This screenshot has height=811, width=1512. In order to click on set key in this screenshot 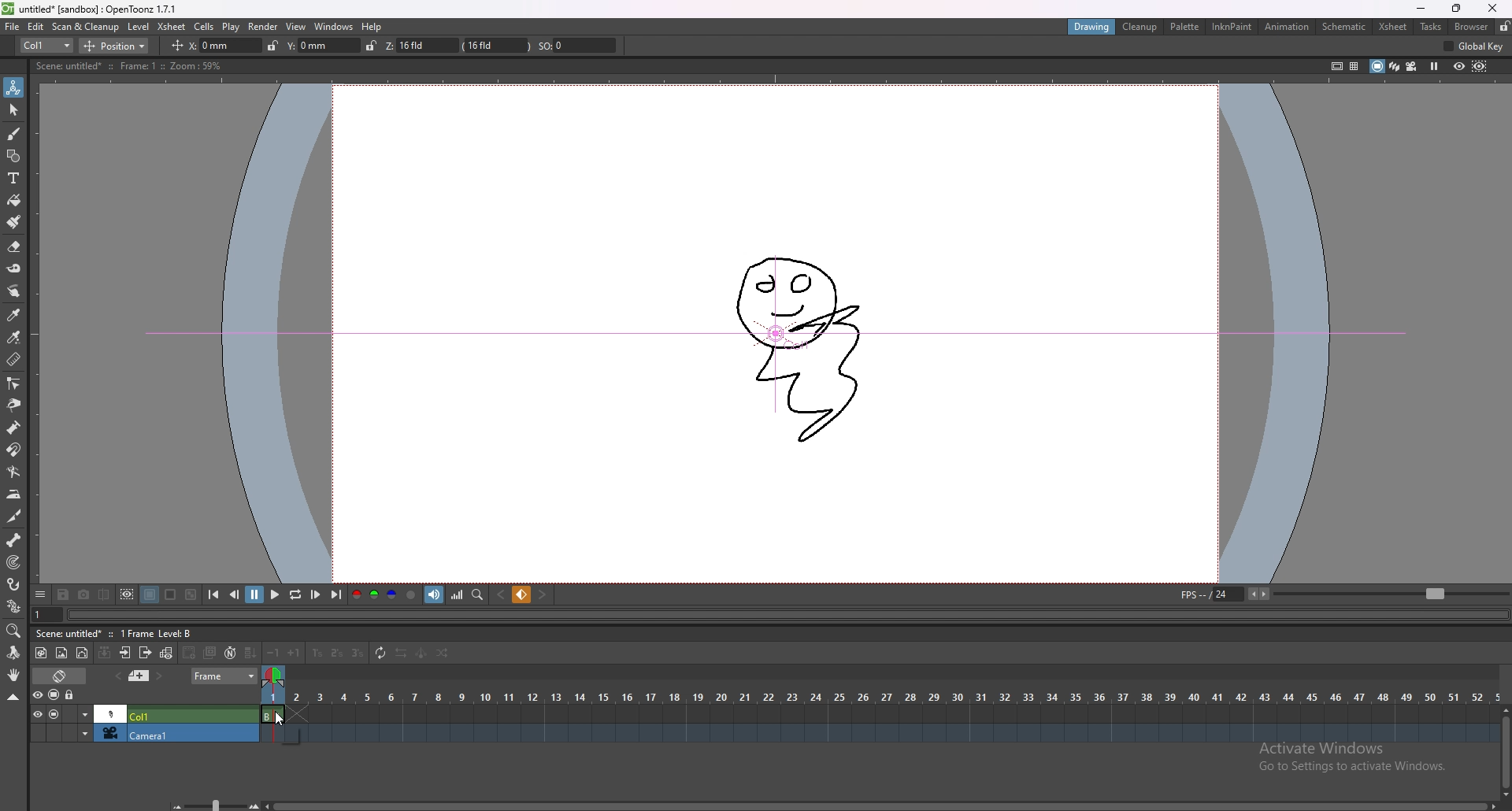, I will do `click(523, 594)`.